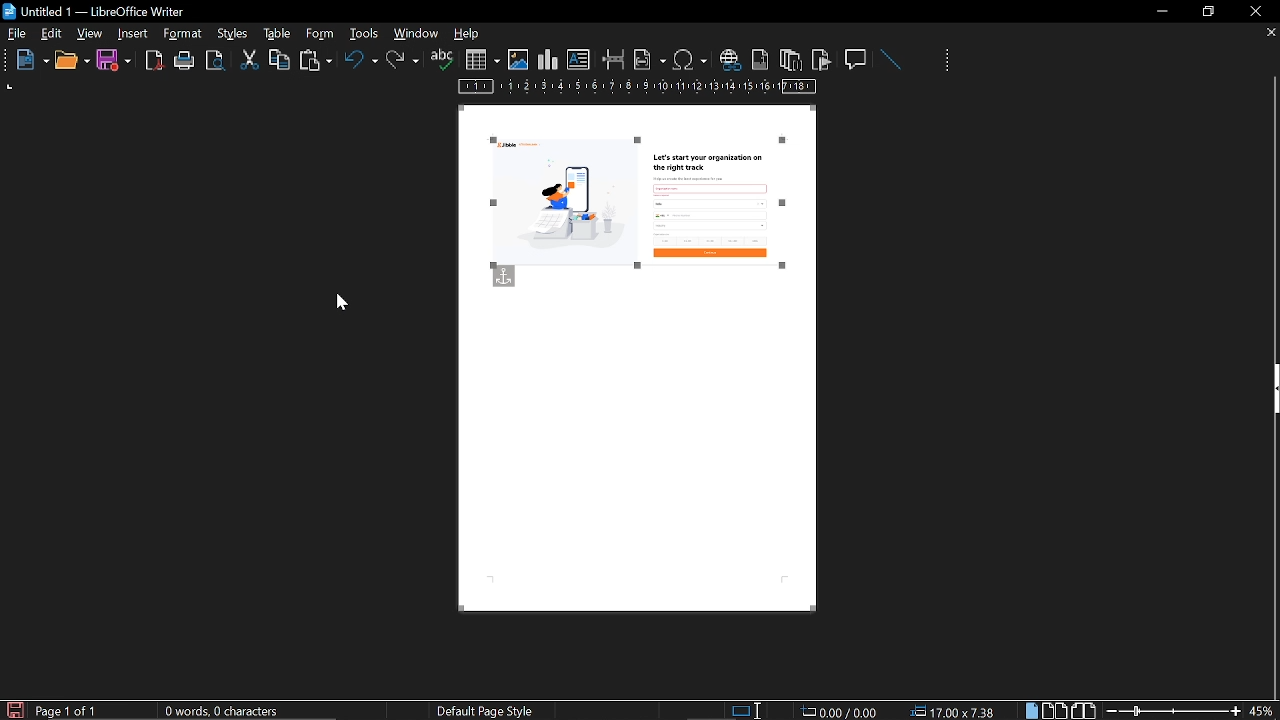 The height and width of the screenshot is (720, 1280). Describe the element at coordinates (417, 33) in the screenshot. I see `window` at that location.